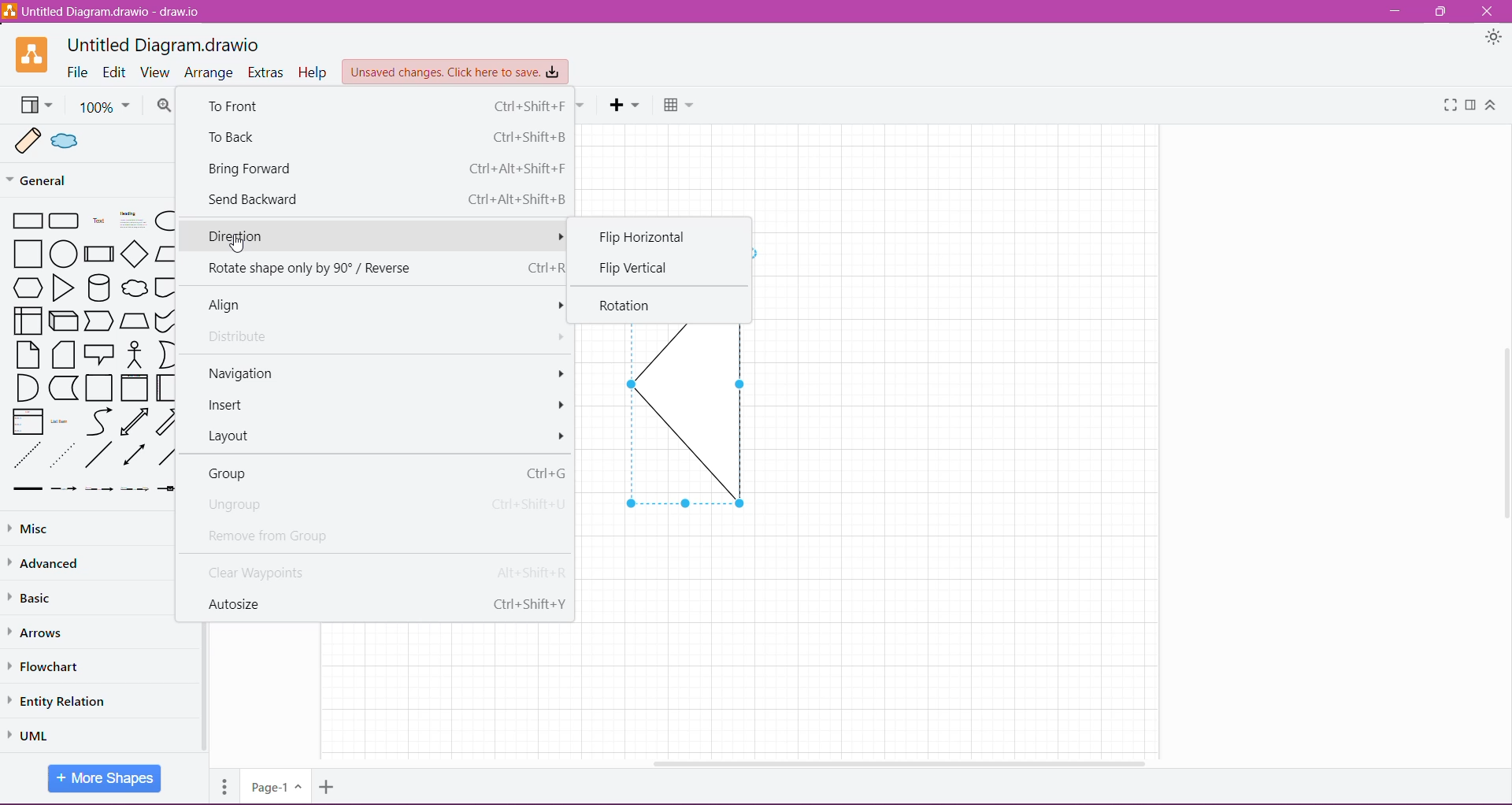 The width and height of the screenshot is (1512, 805). What do you see at coordinates (385, 107) in the screenshot?
I see `To Front Ctrl +Shift+F` at bounding box center [385, 107].